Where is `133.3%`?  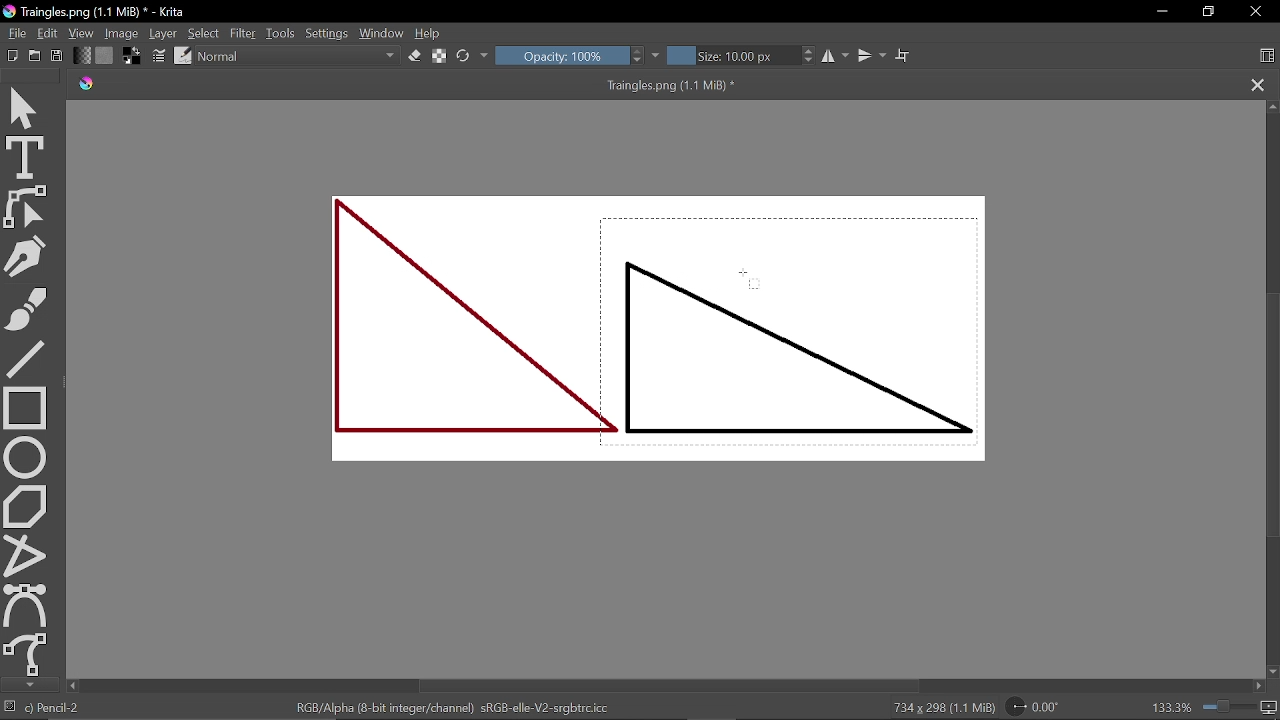
133.3% is located at coordinates (1215, 707).